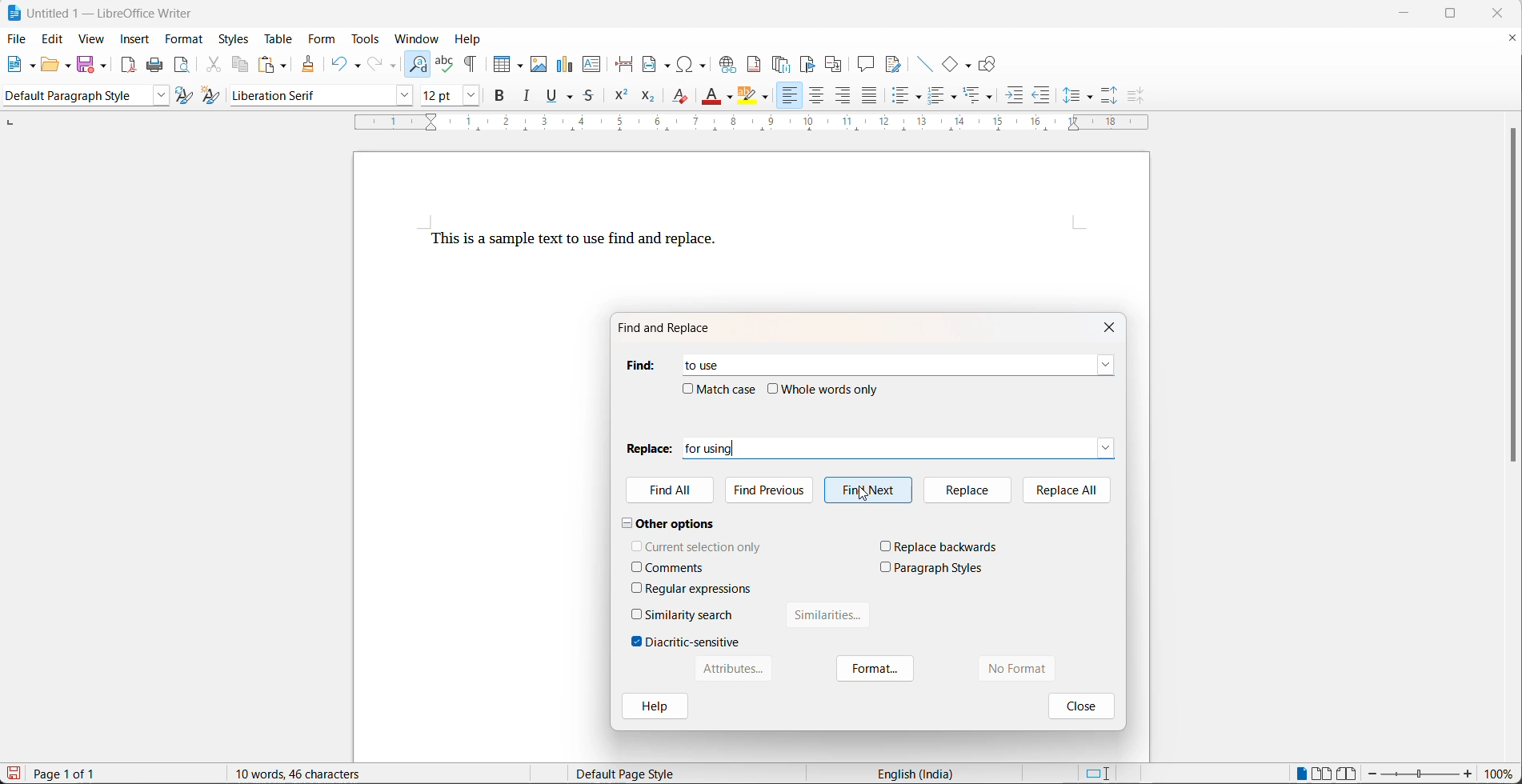 The height and width of the screenshot is (784, 1522). Describe the element at coordinates (445, 59) in the screenshot. I see `spellings` at that location.